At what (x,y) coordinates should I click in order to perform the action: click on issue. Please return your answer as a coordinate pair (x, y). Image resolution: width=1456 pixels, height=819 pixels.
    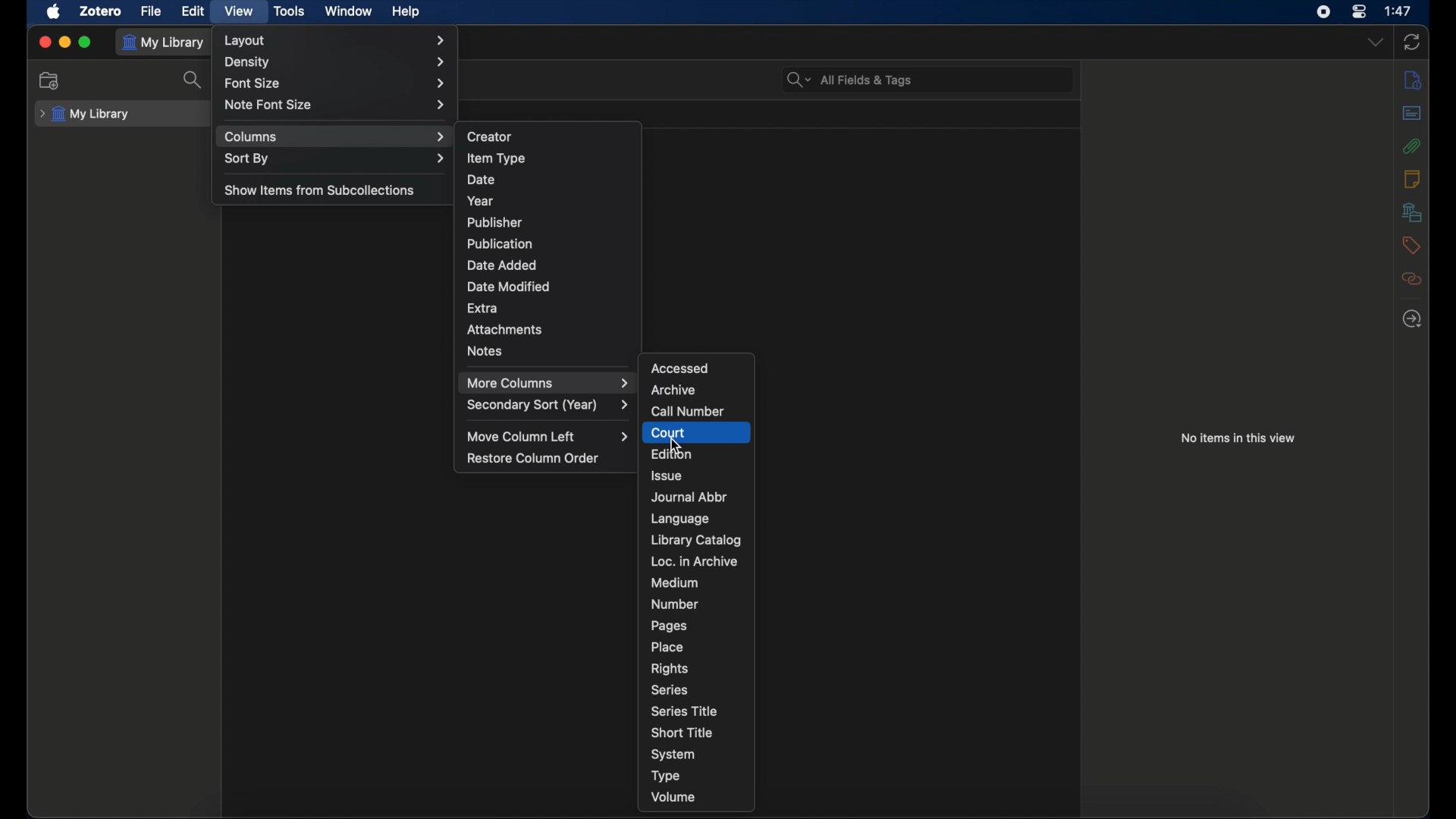
    Looking at the image, I should click on (666, 475).